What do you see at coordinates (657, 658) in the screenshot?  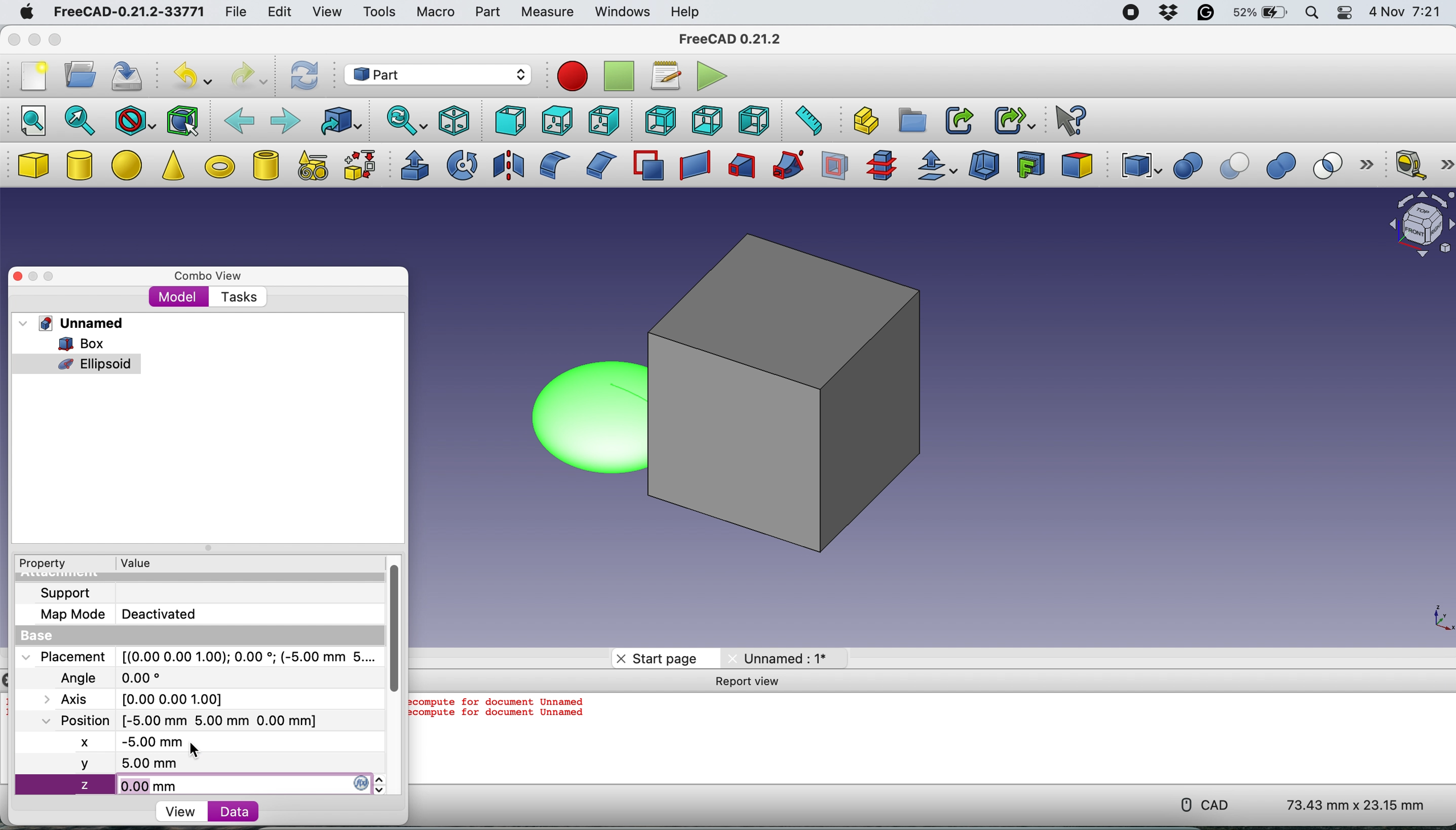 I see `start page` at bounding box center [657, 658].